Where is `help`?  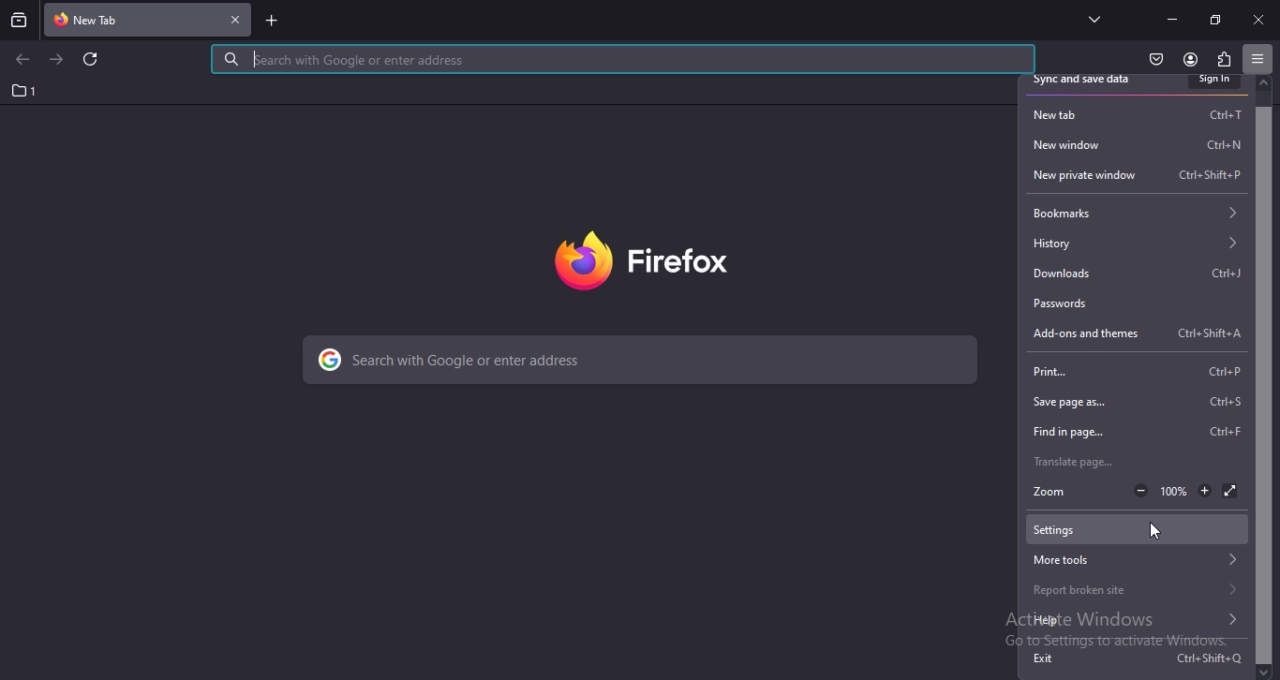 help is located at coordinates (1140, 623).